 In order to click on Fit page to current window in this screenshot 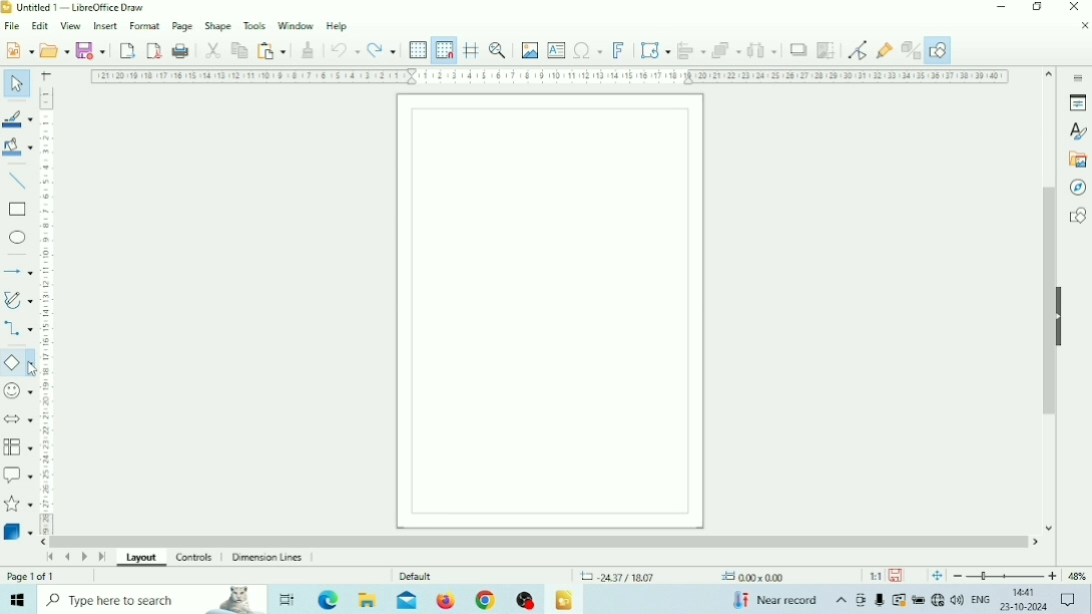, I will do `click(937, 576)`.